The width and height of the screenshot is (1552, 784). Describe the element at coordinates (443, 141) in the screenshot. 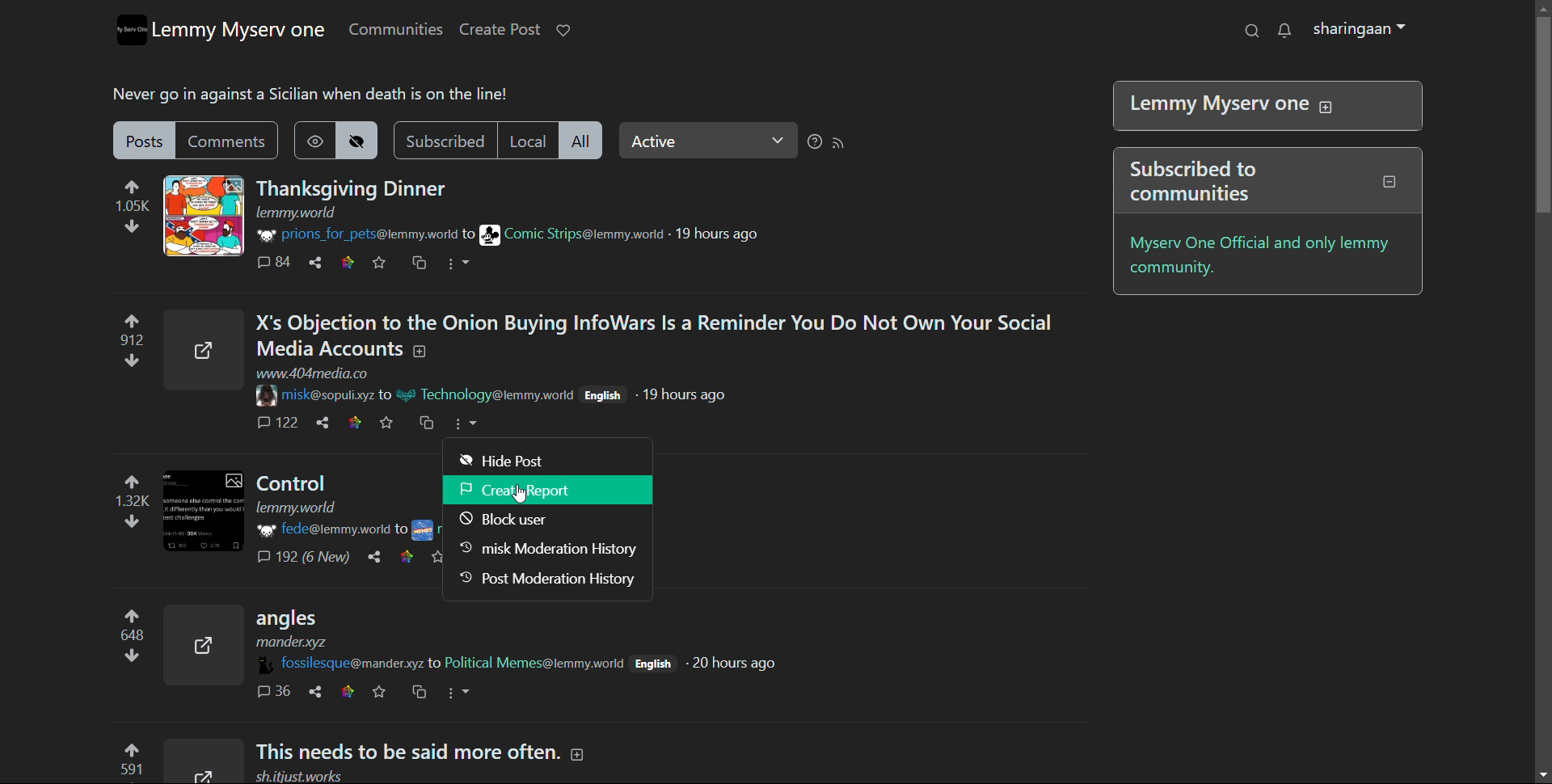

I see `subscribed` at that location.